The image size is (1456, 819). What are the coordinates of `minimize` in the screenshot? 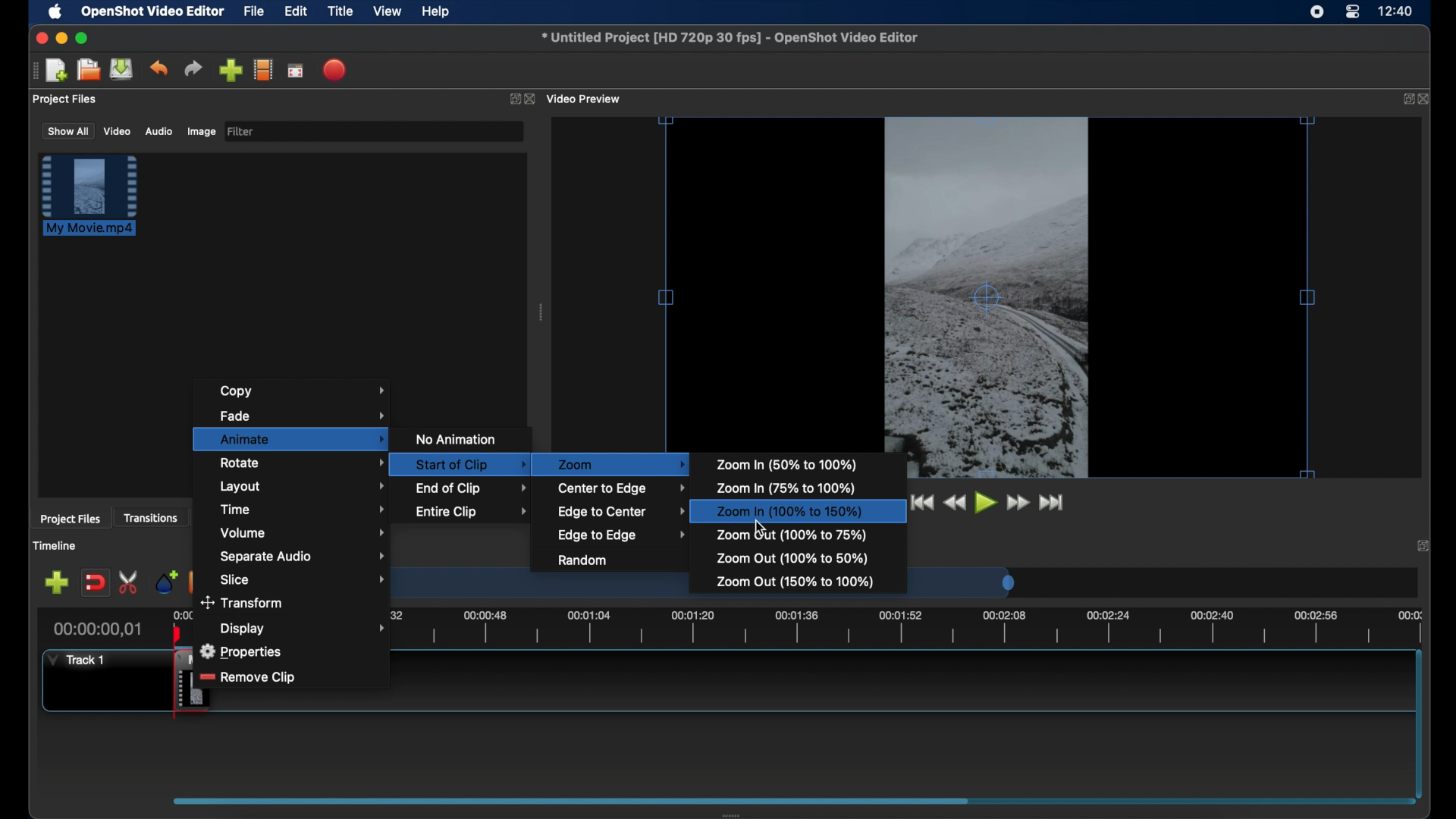 It's located at (61, 38).